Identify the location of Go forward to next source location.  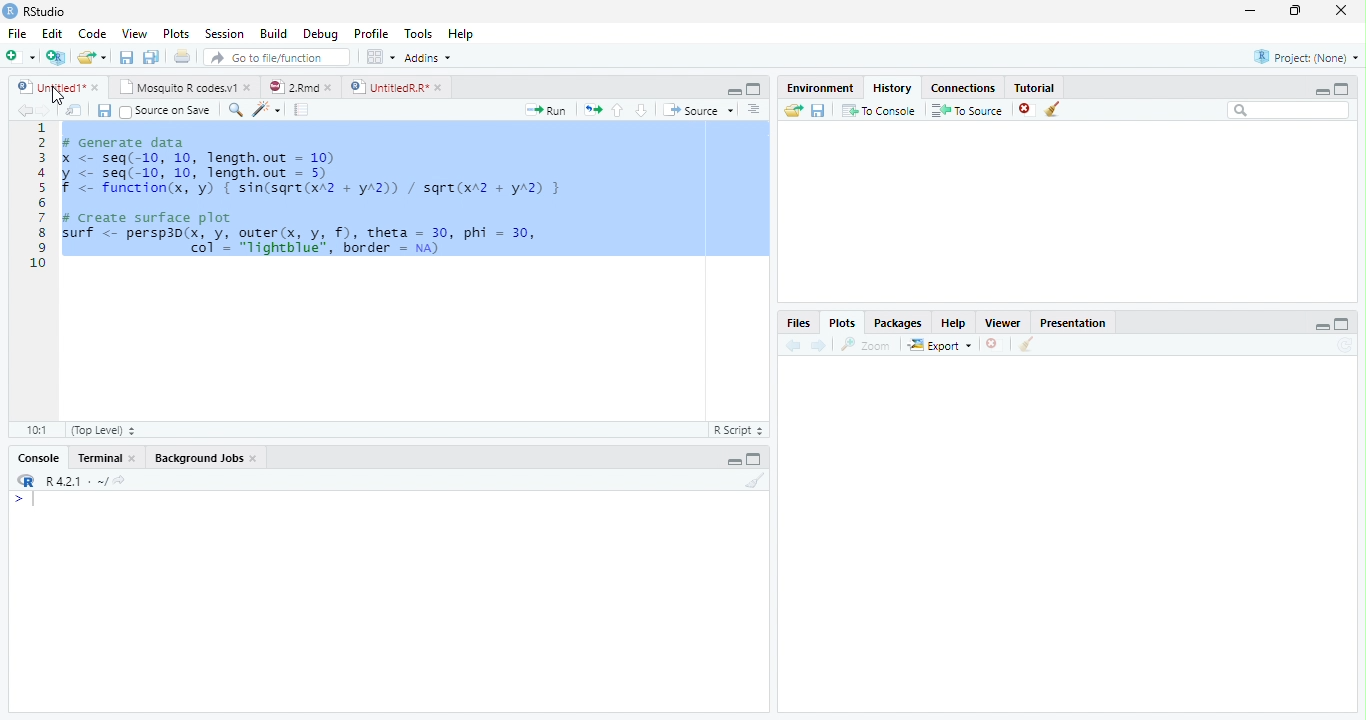
(45, 111).